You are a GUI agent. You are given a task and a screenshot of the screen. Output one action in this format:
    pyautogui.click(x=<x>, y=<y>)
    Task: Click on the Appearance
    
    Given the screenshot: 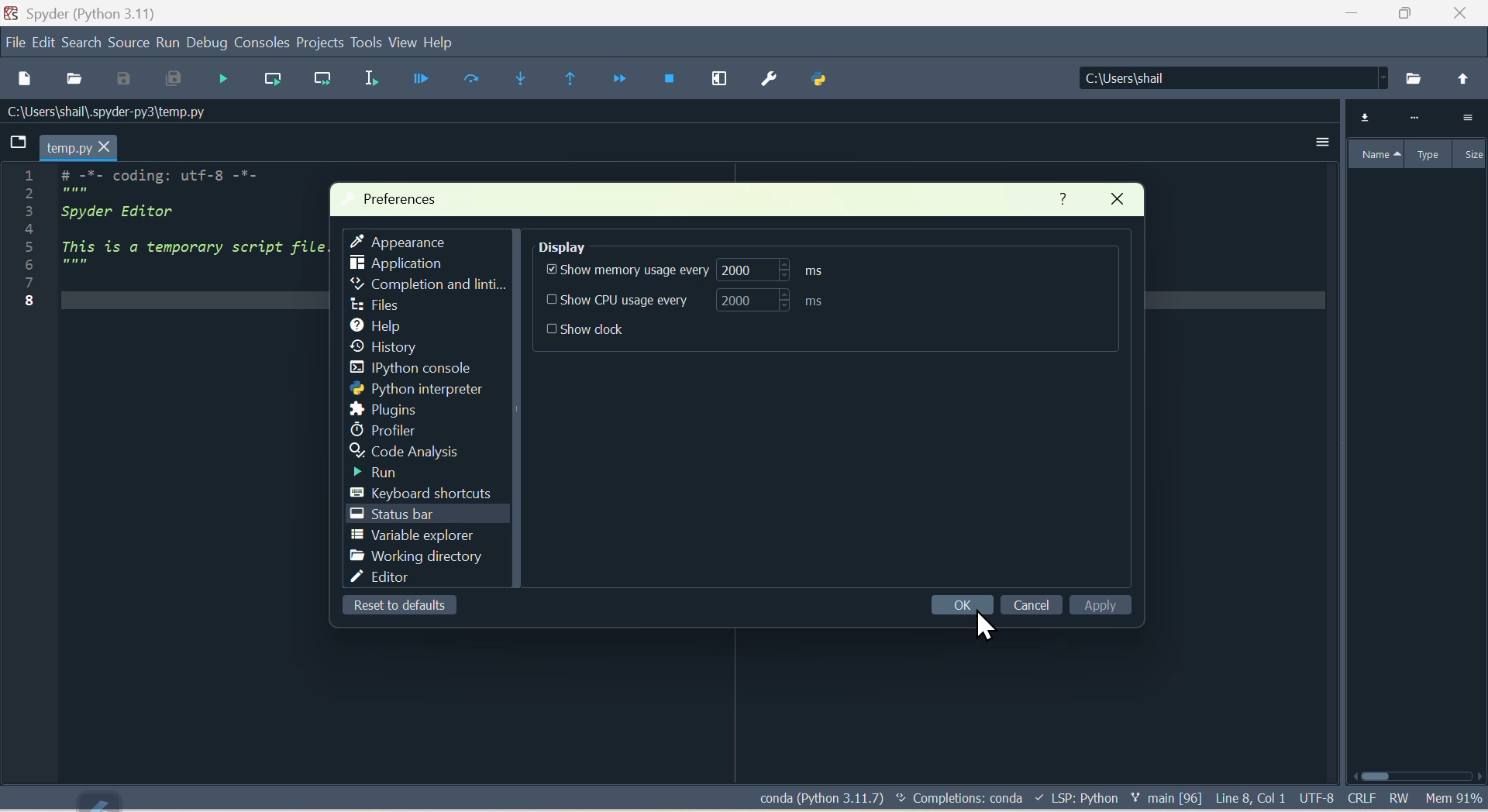 What is the action you would take?
    pyautogui.click(x=402, y=239)
    